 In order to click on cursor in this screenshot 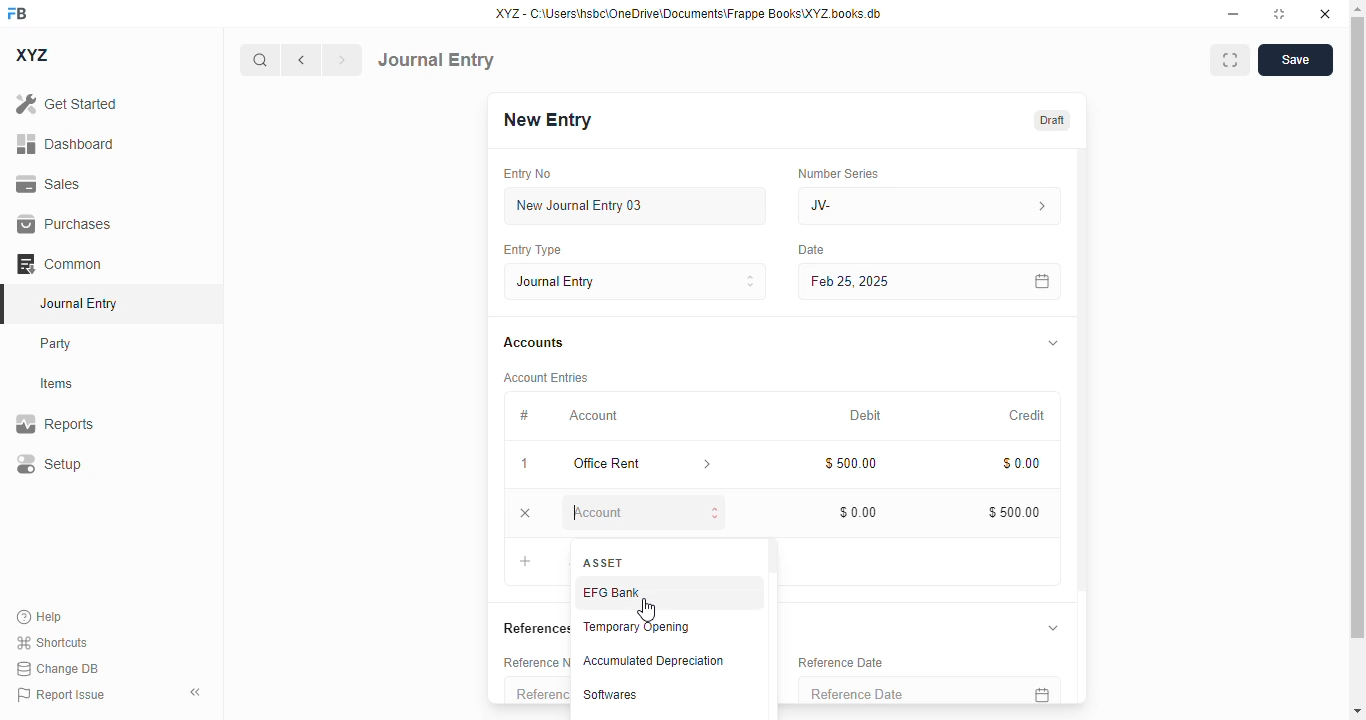, I will do `click(646, 609)`.